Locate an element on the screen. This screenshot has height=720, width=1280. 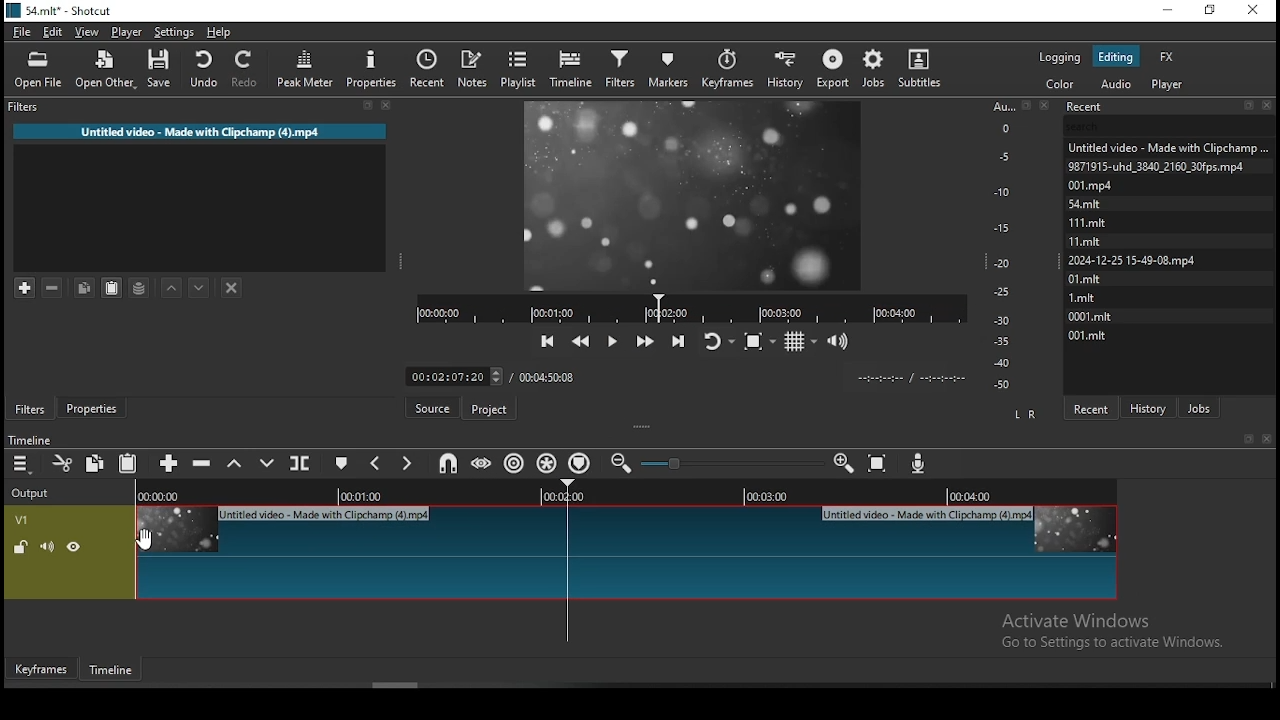
filters is located at coordinates (28, 409).